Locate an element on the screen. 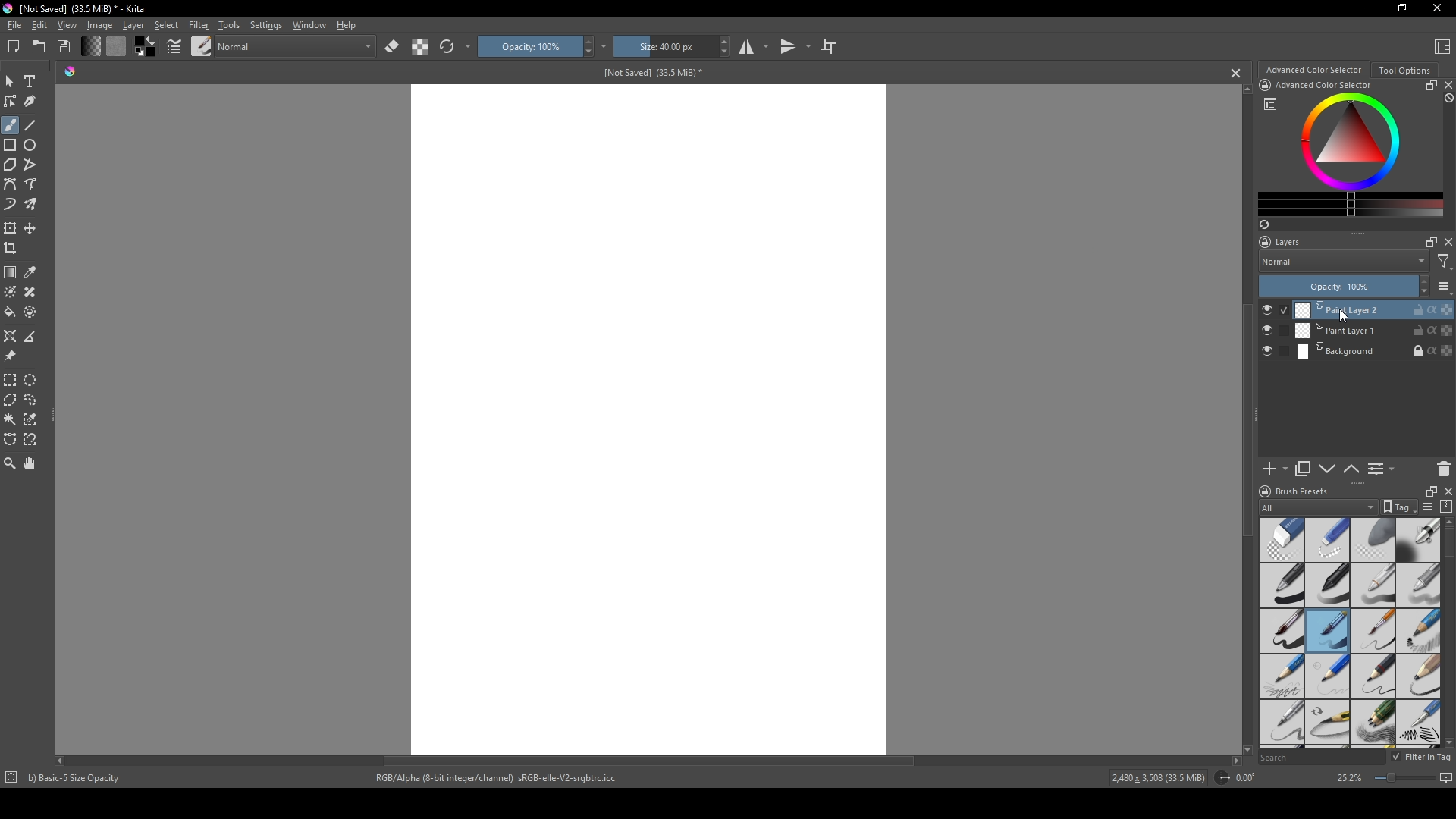 The image size is (1456, 819). View is located at coordinates (67, 25).